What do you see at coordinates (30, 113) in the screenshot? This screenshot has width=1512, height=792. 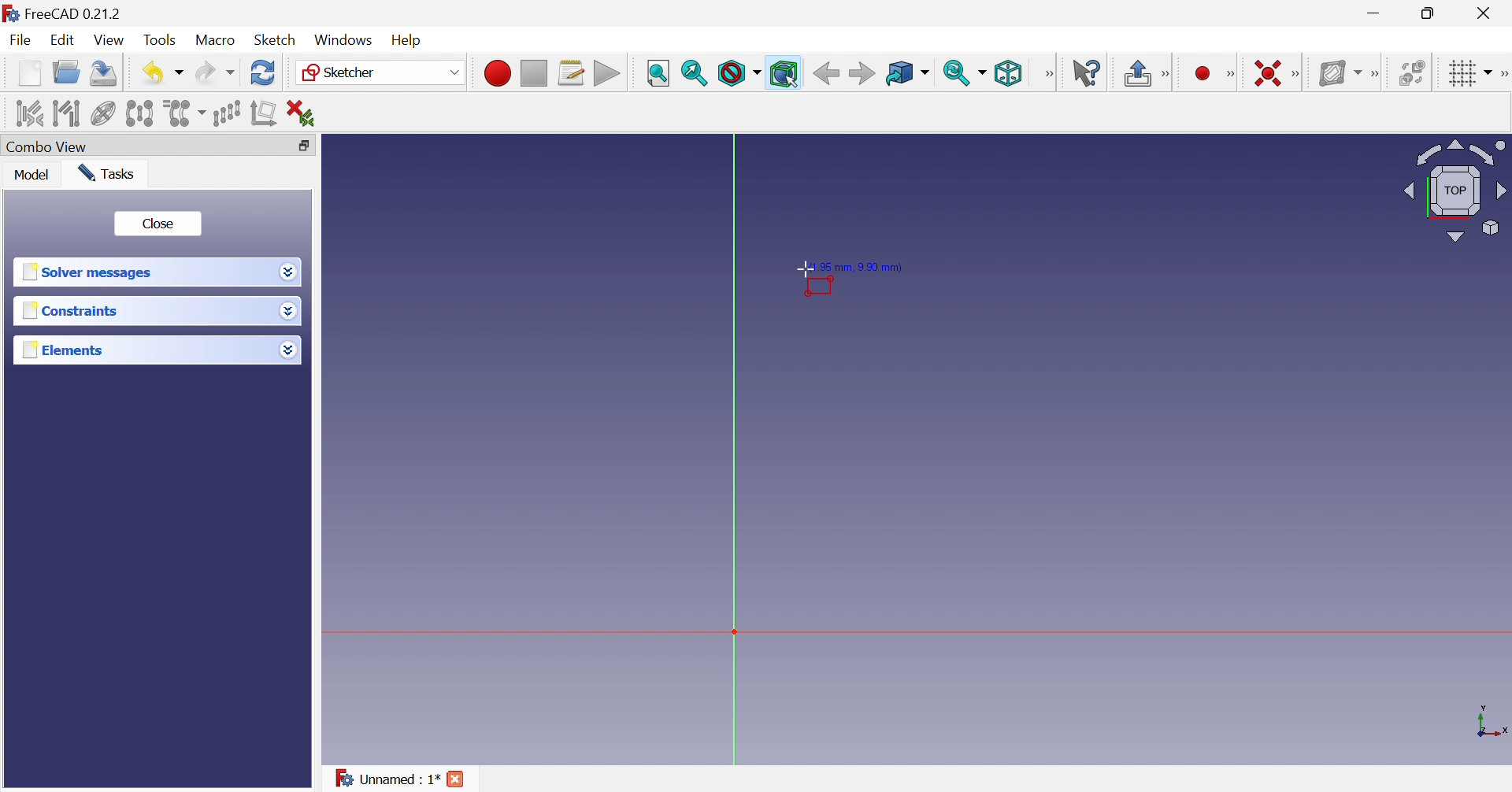 I see `Select associated constraints` at bounding box center [30, 113].